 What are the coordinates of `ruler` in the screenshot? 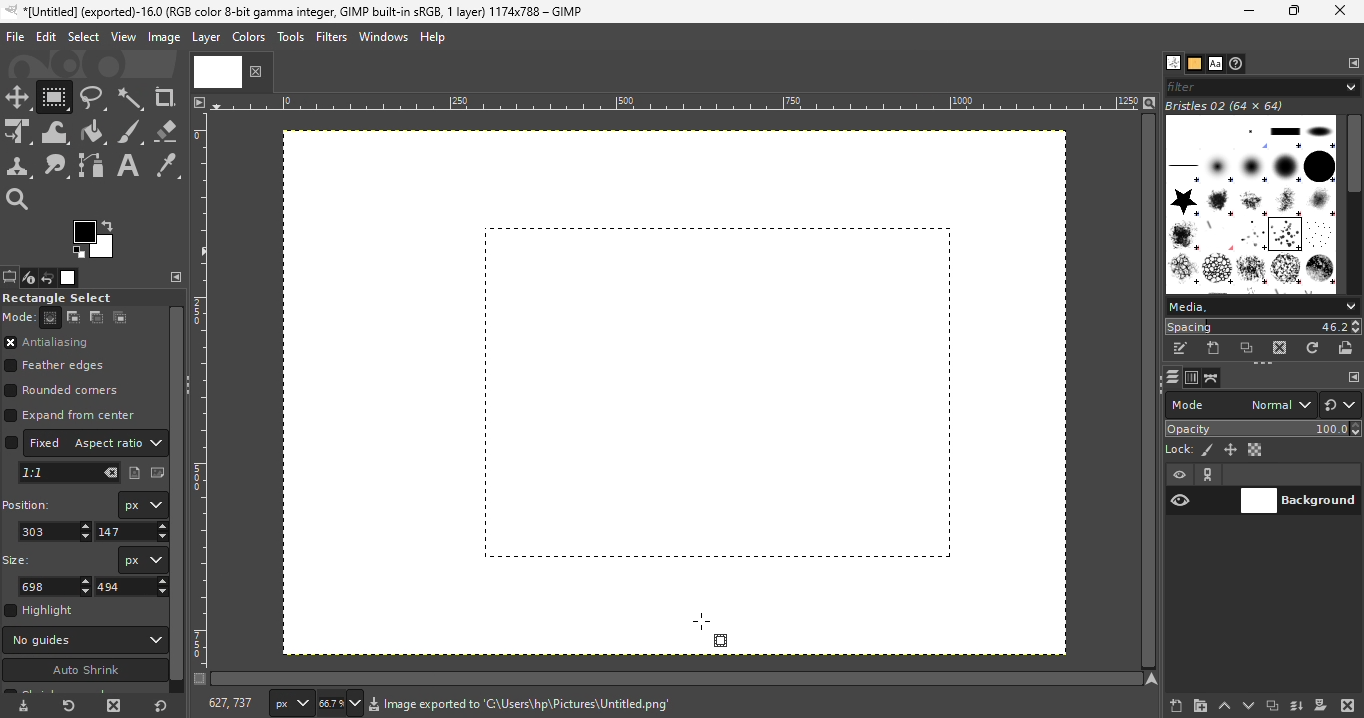 It's located at (205, 403).